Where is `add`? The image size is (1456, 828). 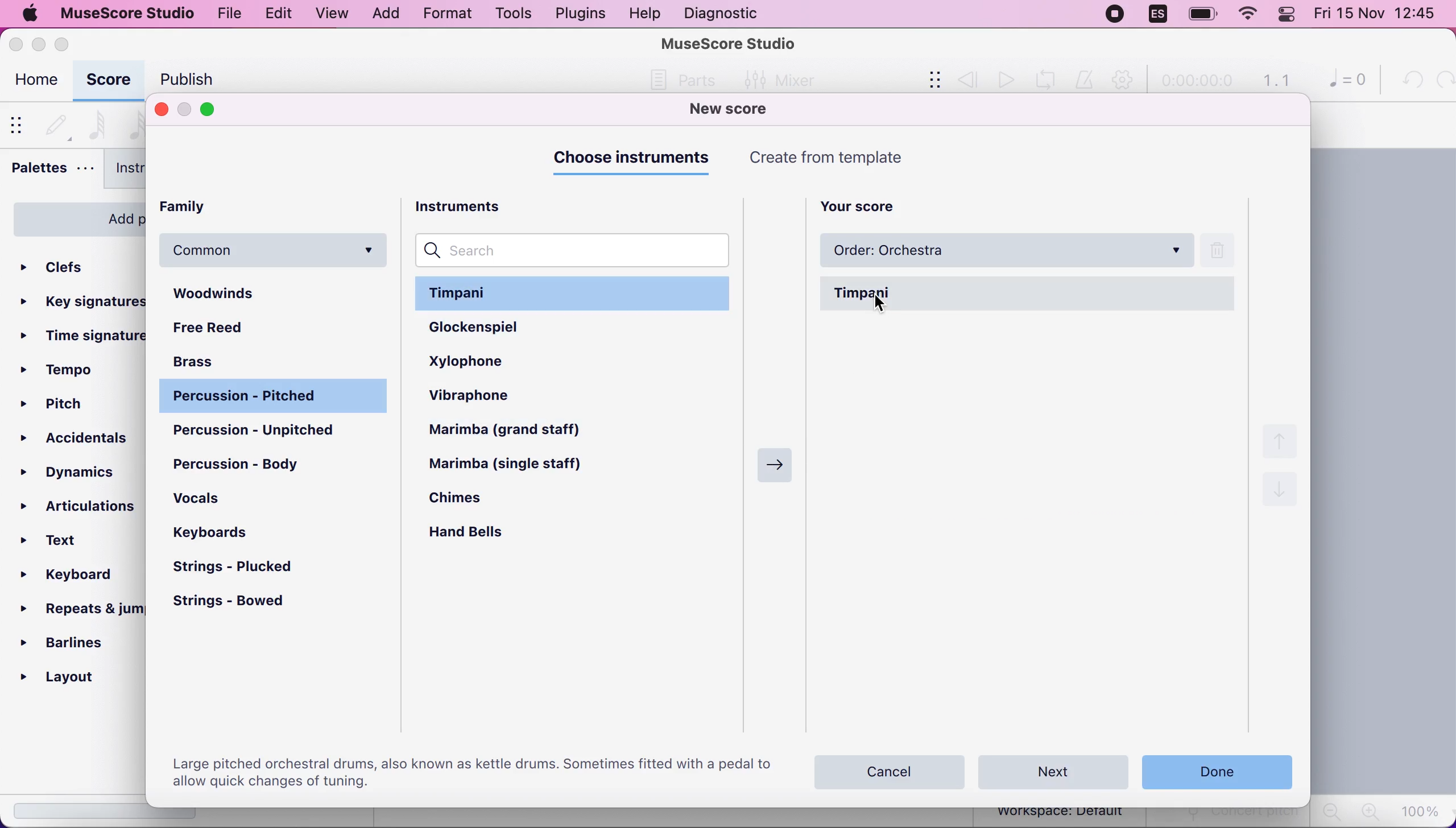 add is located at coordinates (385, 14).